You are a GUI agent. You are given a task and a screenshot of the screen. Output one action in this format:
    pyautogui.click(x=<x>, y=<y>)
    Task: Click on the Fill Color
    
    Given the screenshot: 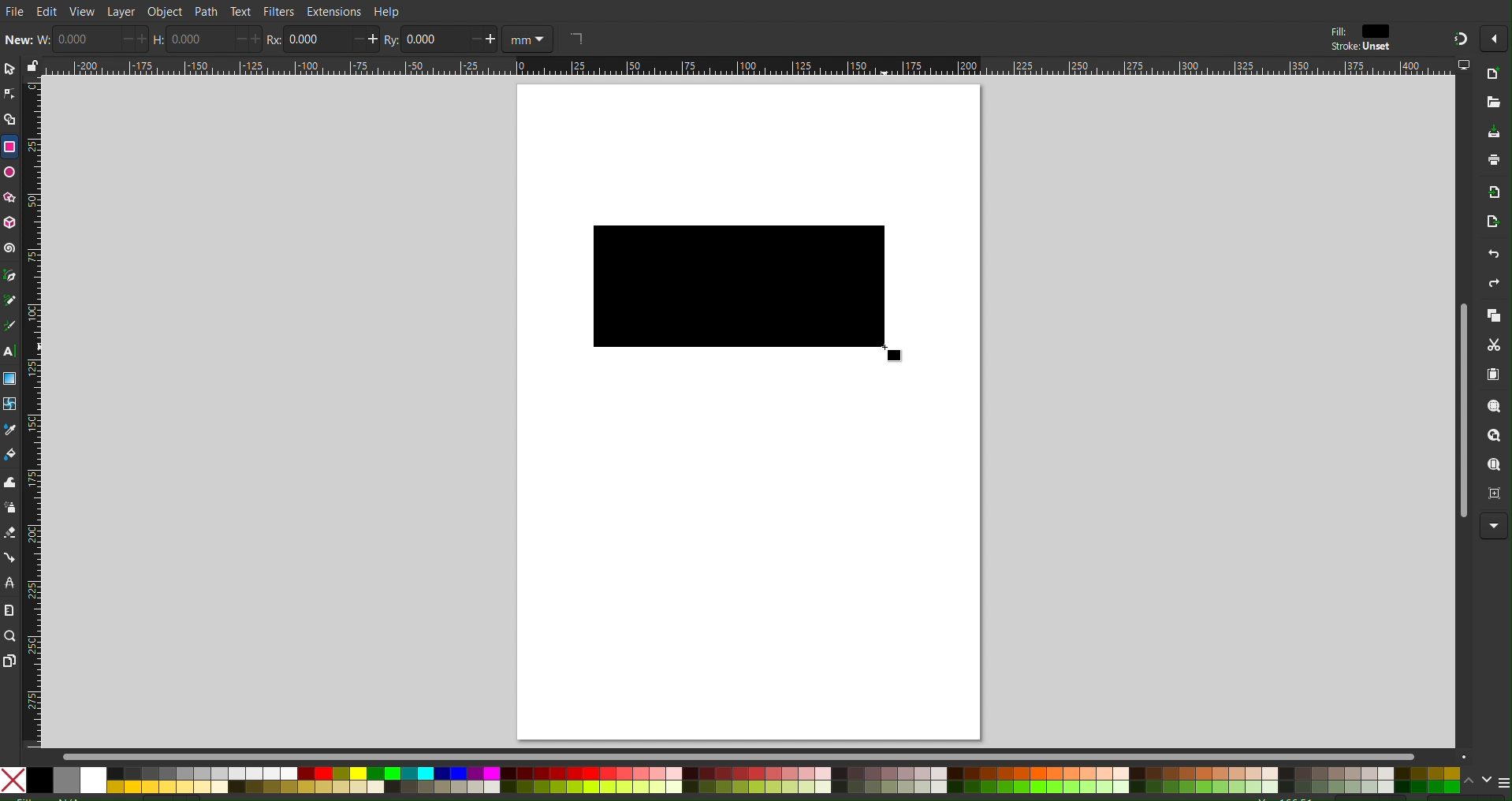 What is the action you would take?
    pyautogui.click(x=10, y=457)
    